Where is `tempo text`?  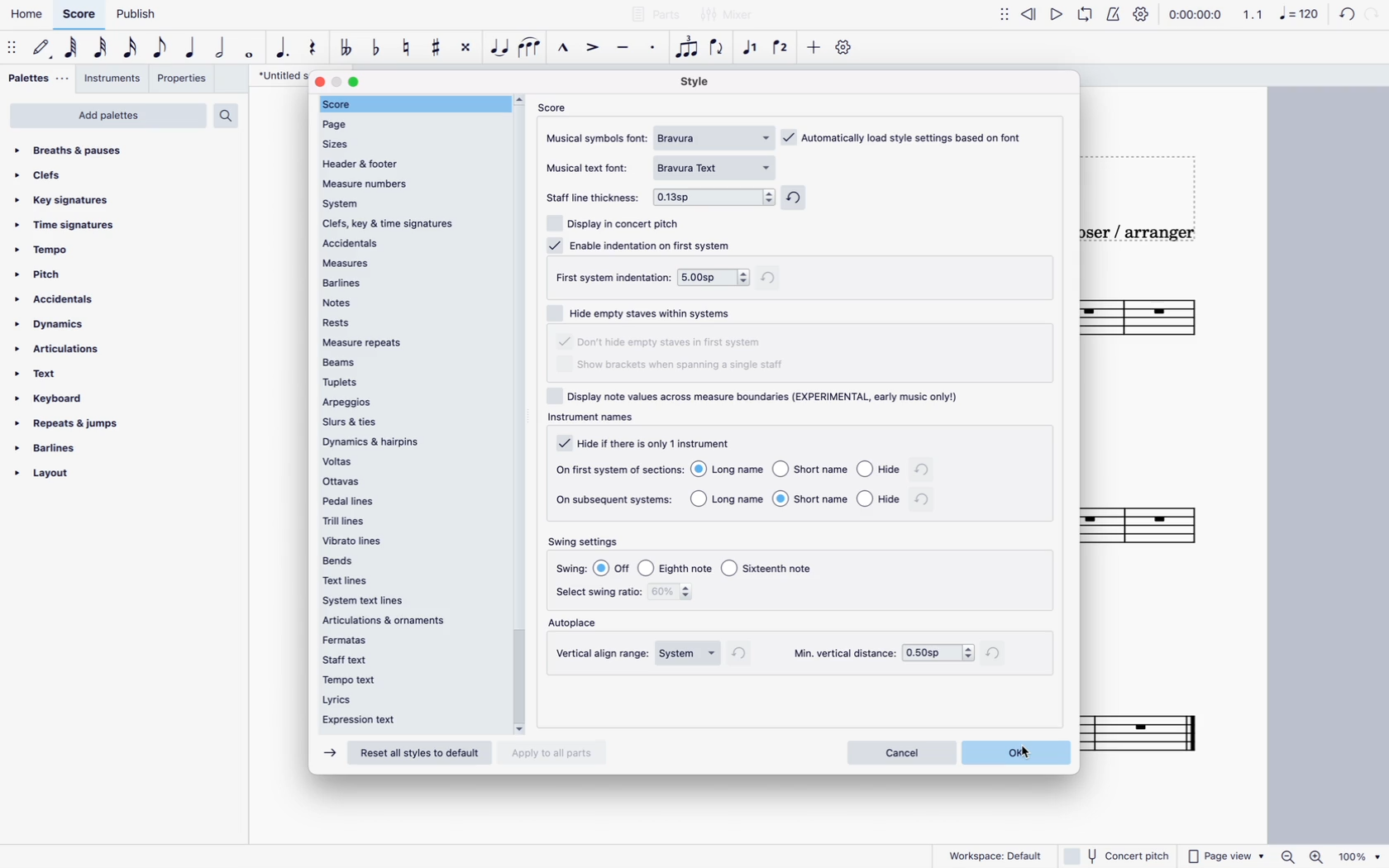 tempo text is located at coordinates (408, 680).